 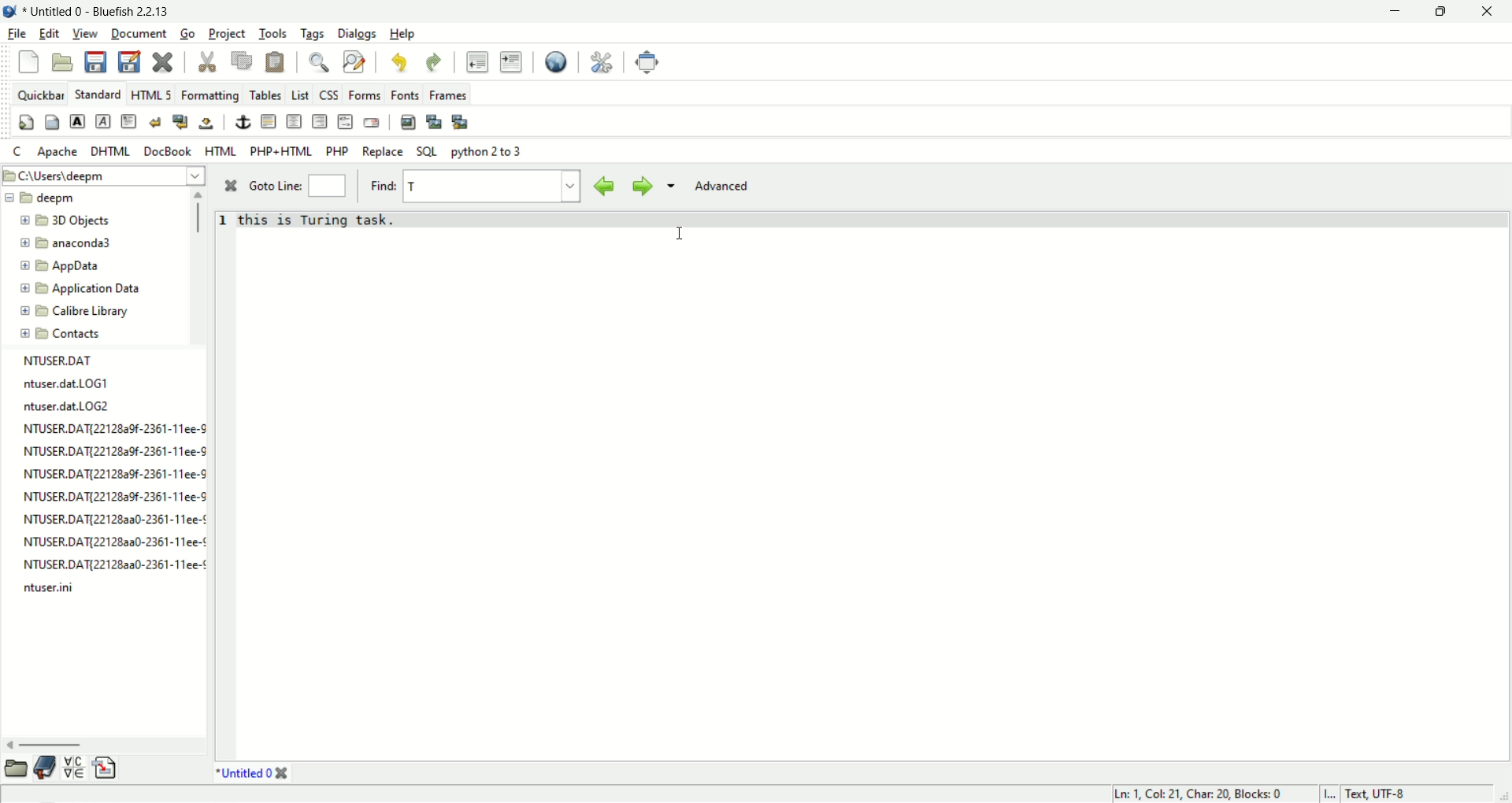 I want to click on HTML 5, so click(x=150, y=94).